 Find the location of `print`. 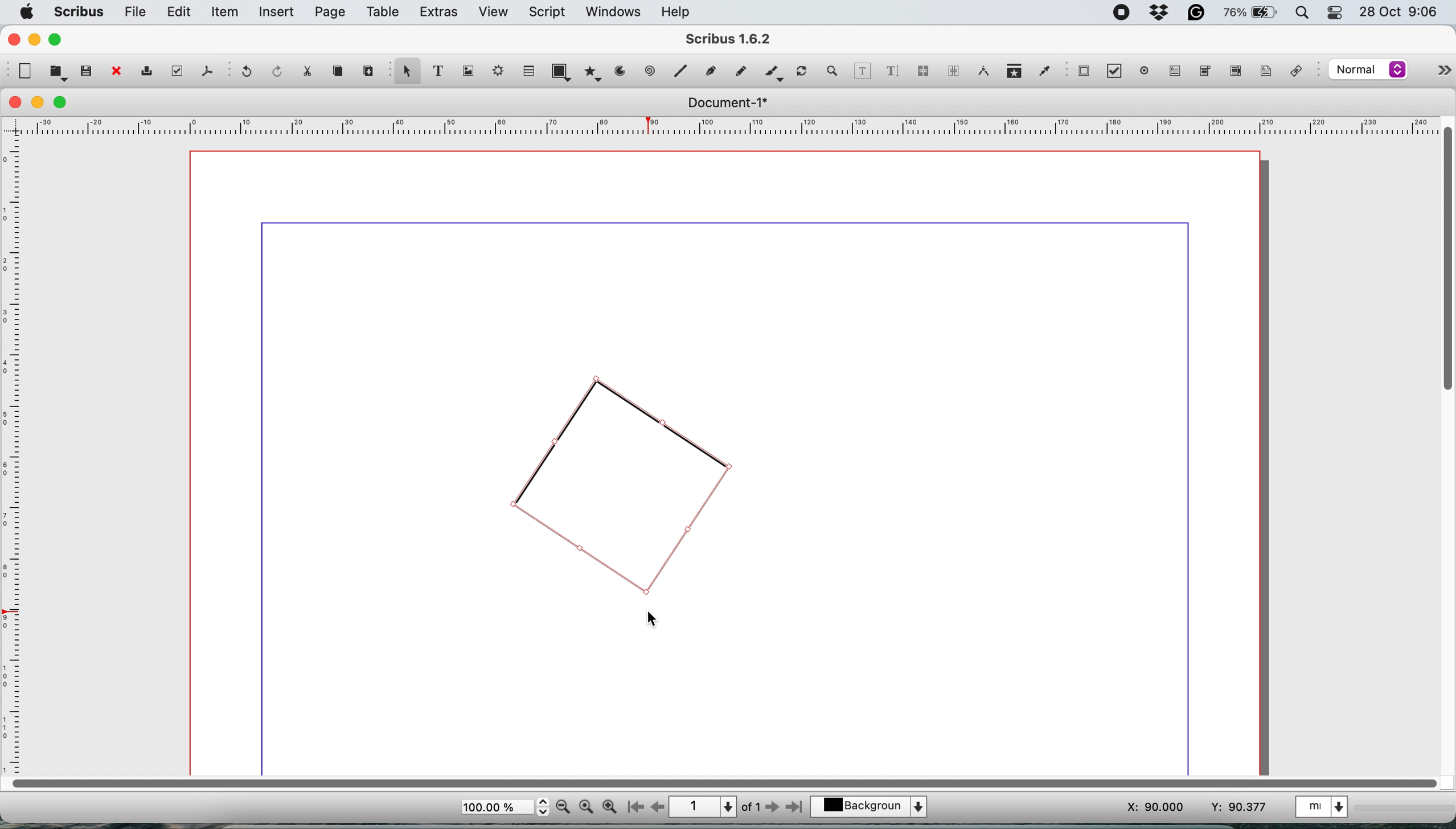

print is located at coordinates (151, 72).